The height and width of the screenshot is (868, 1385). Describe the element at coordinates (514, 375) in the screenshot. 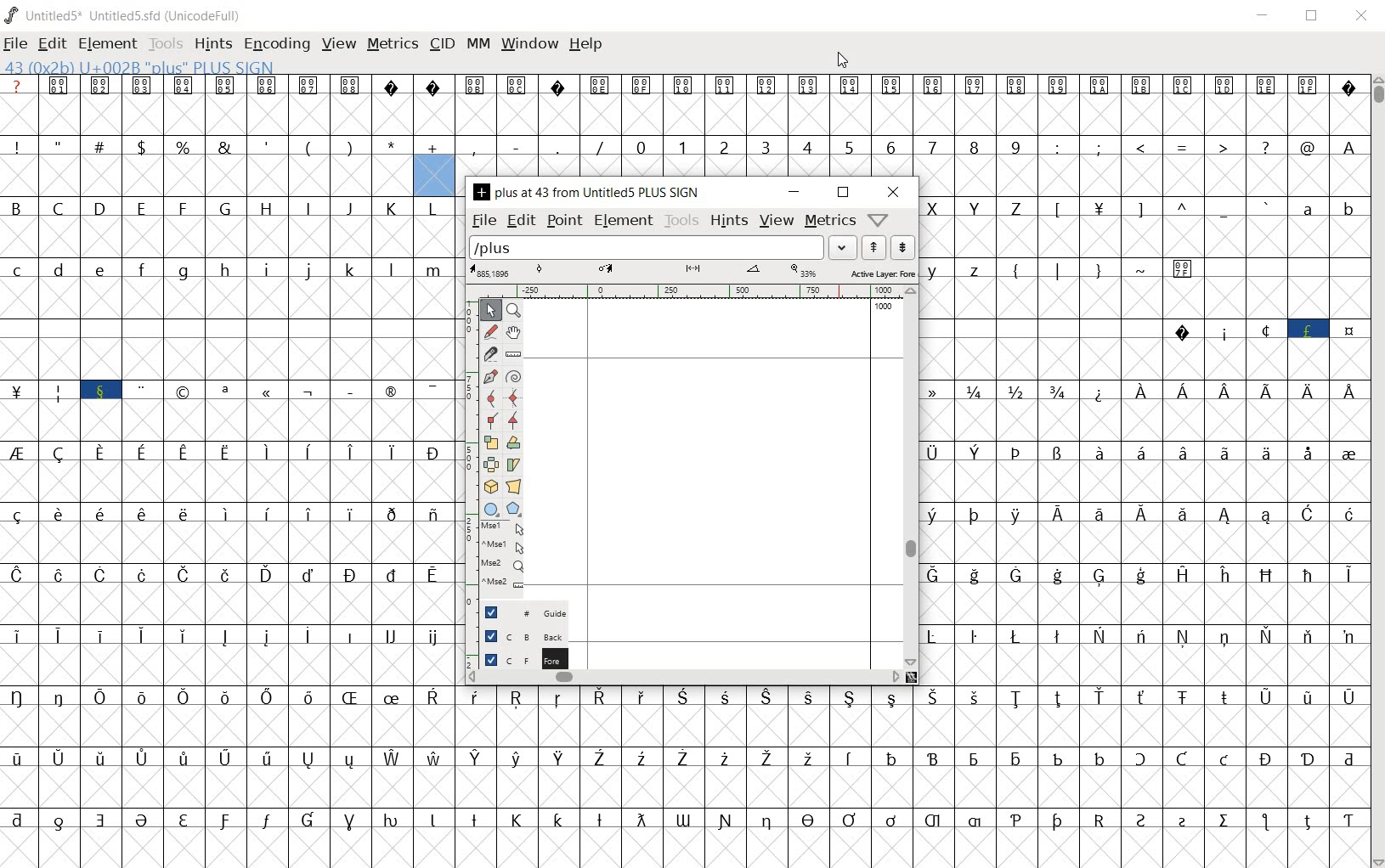

I see `change whether spiro is active or not` at that location.